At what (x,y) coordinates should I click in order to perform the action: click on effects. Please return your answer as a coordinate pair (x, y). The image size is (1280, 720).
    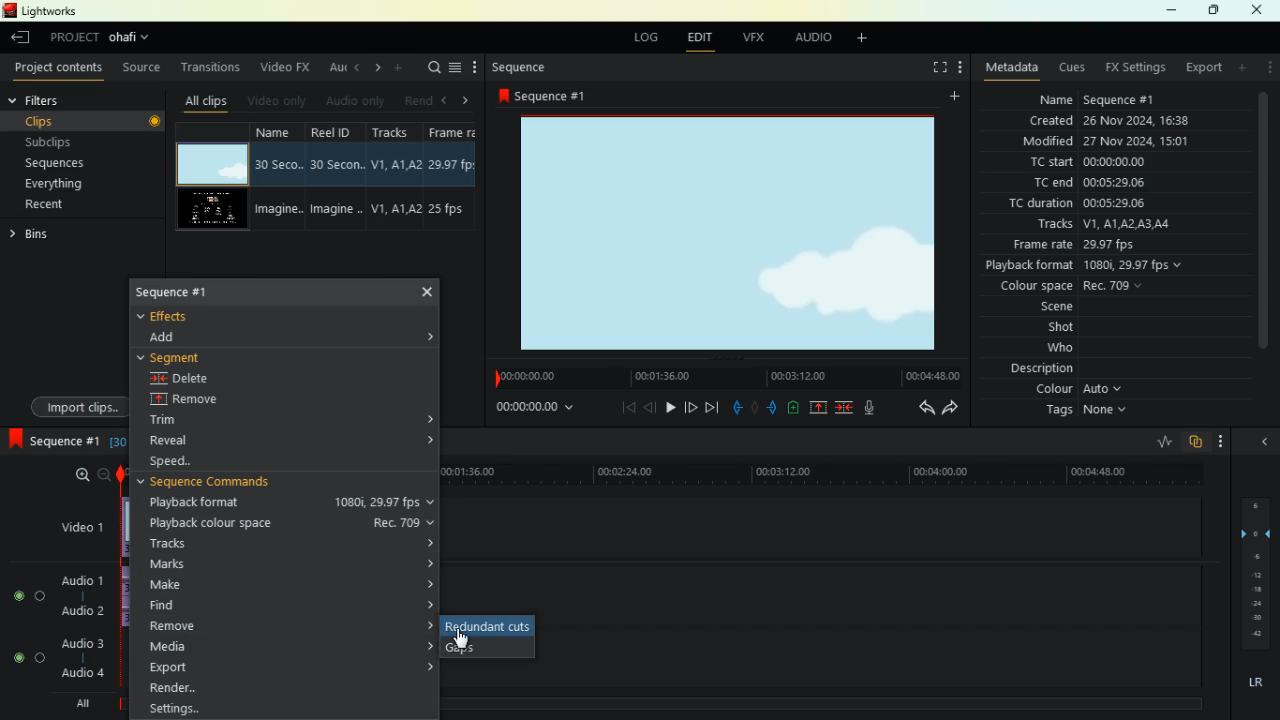
    Looking at the image, I should click on (178, 315).